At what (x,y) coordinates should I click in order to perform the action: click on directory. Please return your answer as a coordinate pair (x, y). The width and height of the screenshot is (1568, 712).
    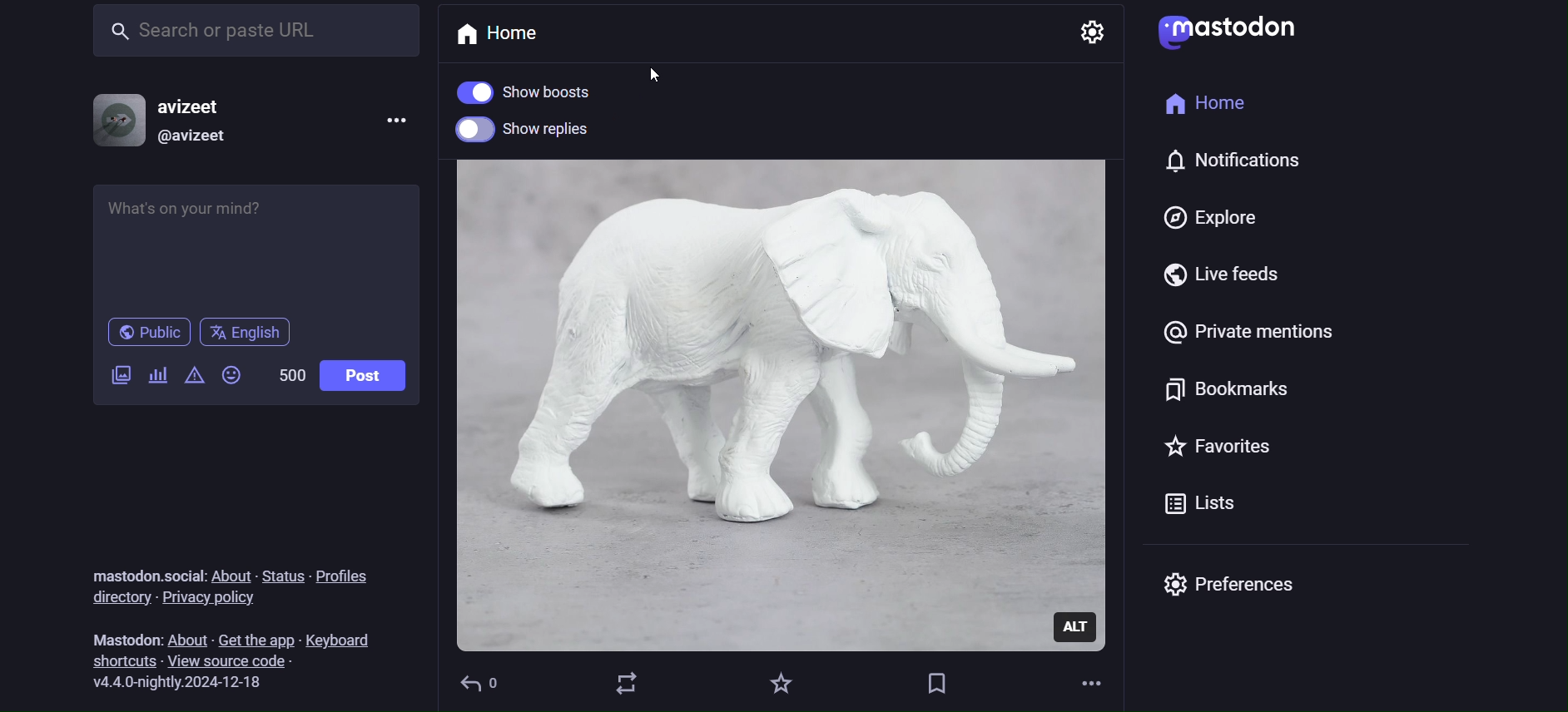
    Looking at the image, I should click on (117, 597).